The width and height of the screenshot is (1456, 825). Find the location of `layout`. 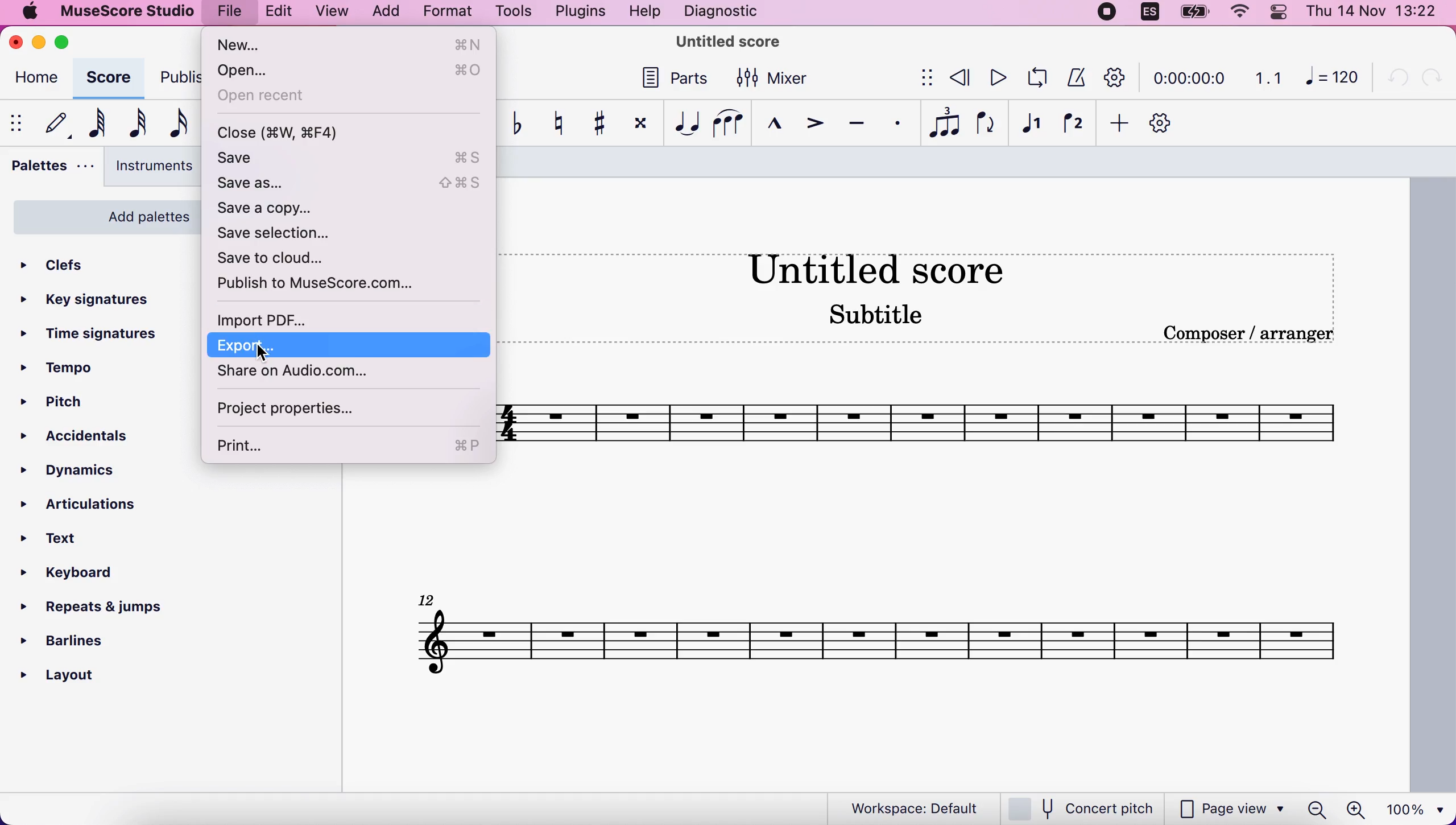

layout is located at coordinates (78, 676).